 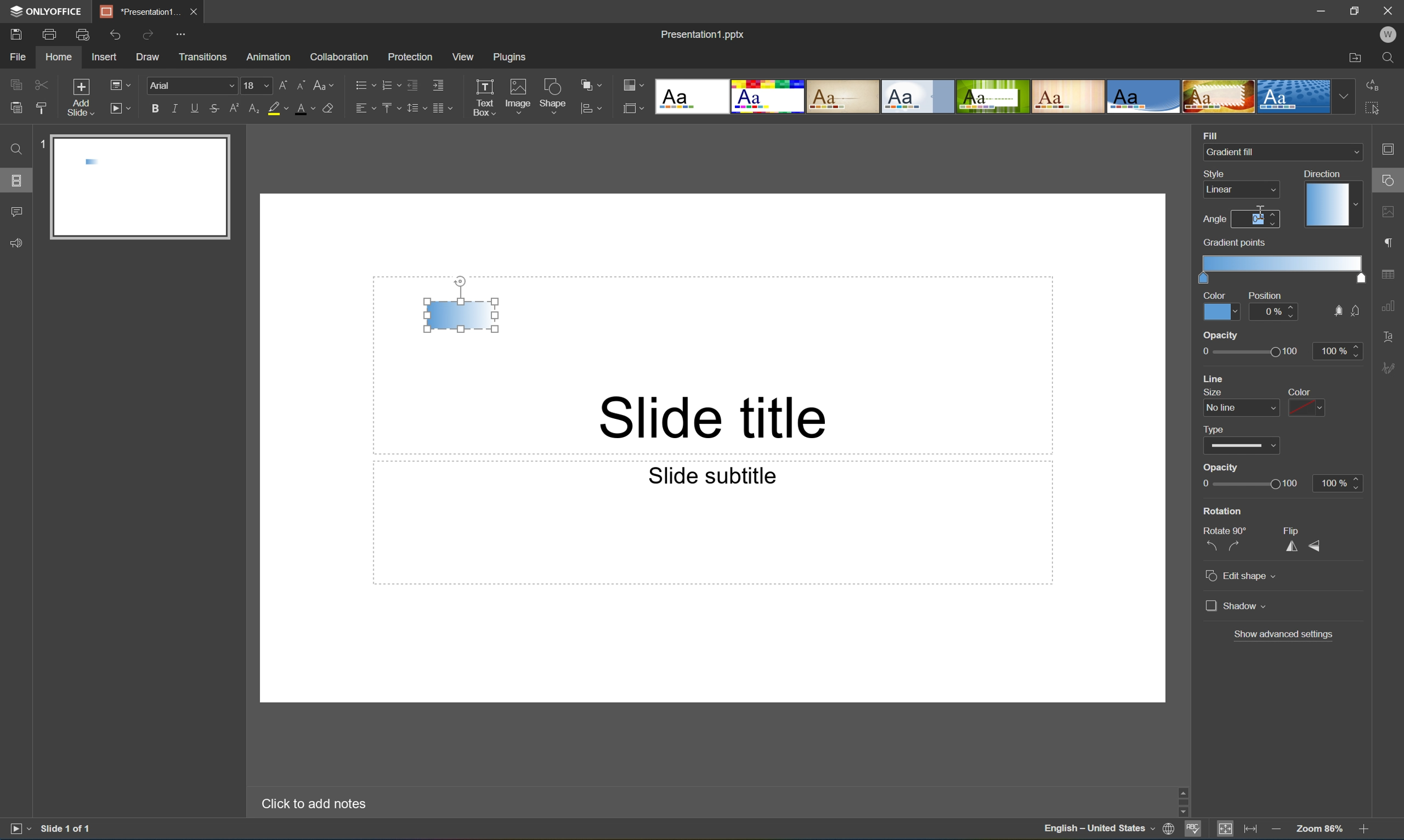 What do you see at coordinates (1361, 799) in the screenshot?
I see `Scroll Bar` at bounding box center [1361, 799].